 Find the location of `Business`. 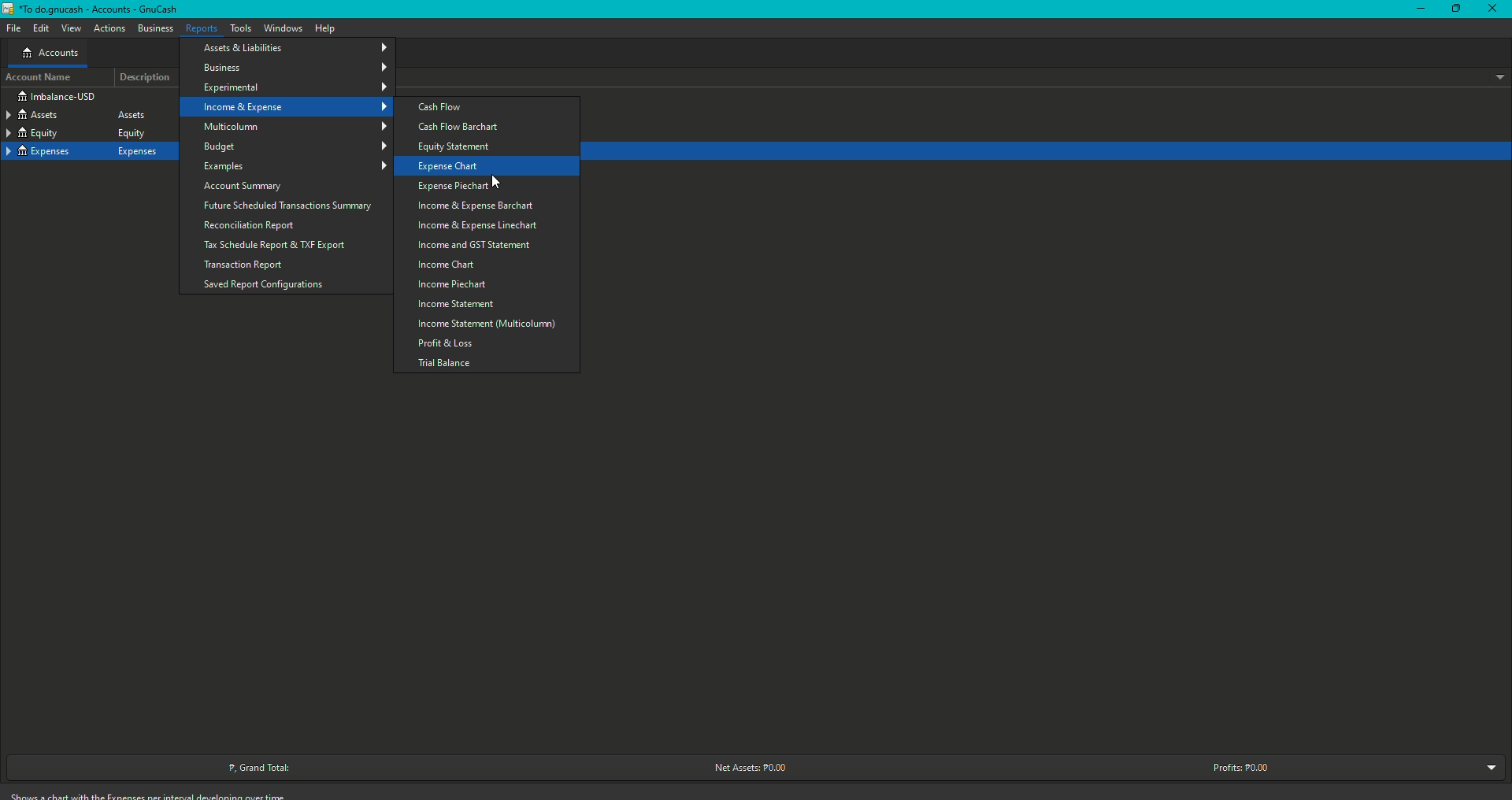

Business is located at coordinates (155, 28).